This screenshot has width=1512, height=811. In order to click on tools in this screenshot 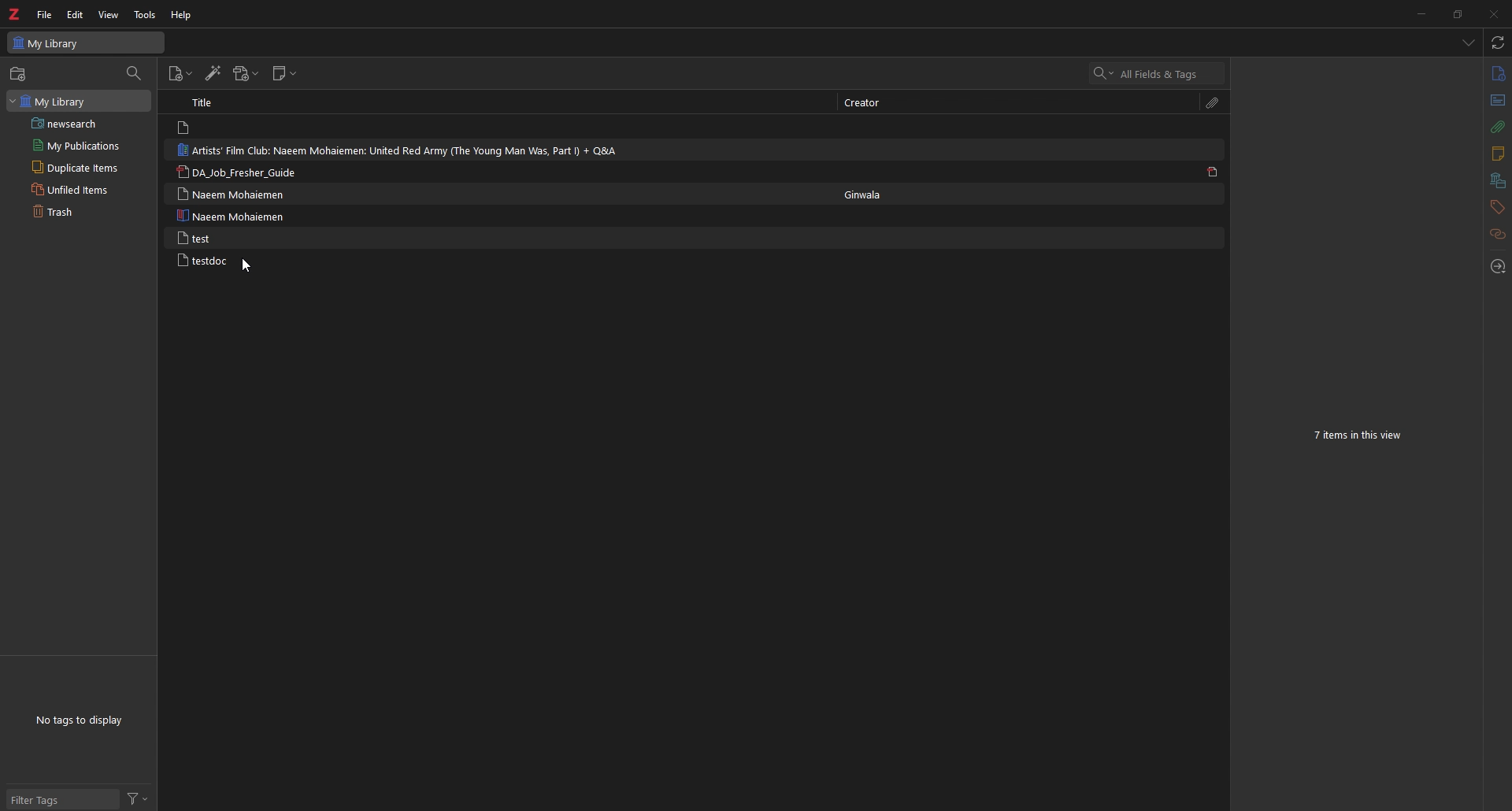, I will do `click(144, 15)`.